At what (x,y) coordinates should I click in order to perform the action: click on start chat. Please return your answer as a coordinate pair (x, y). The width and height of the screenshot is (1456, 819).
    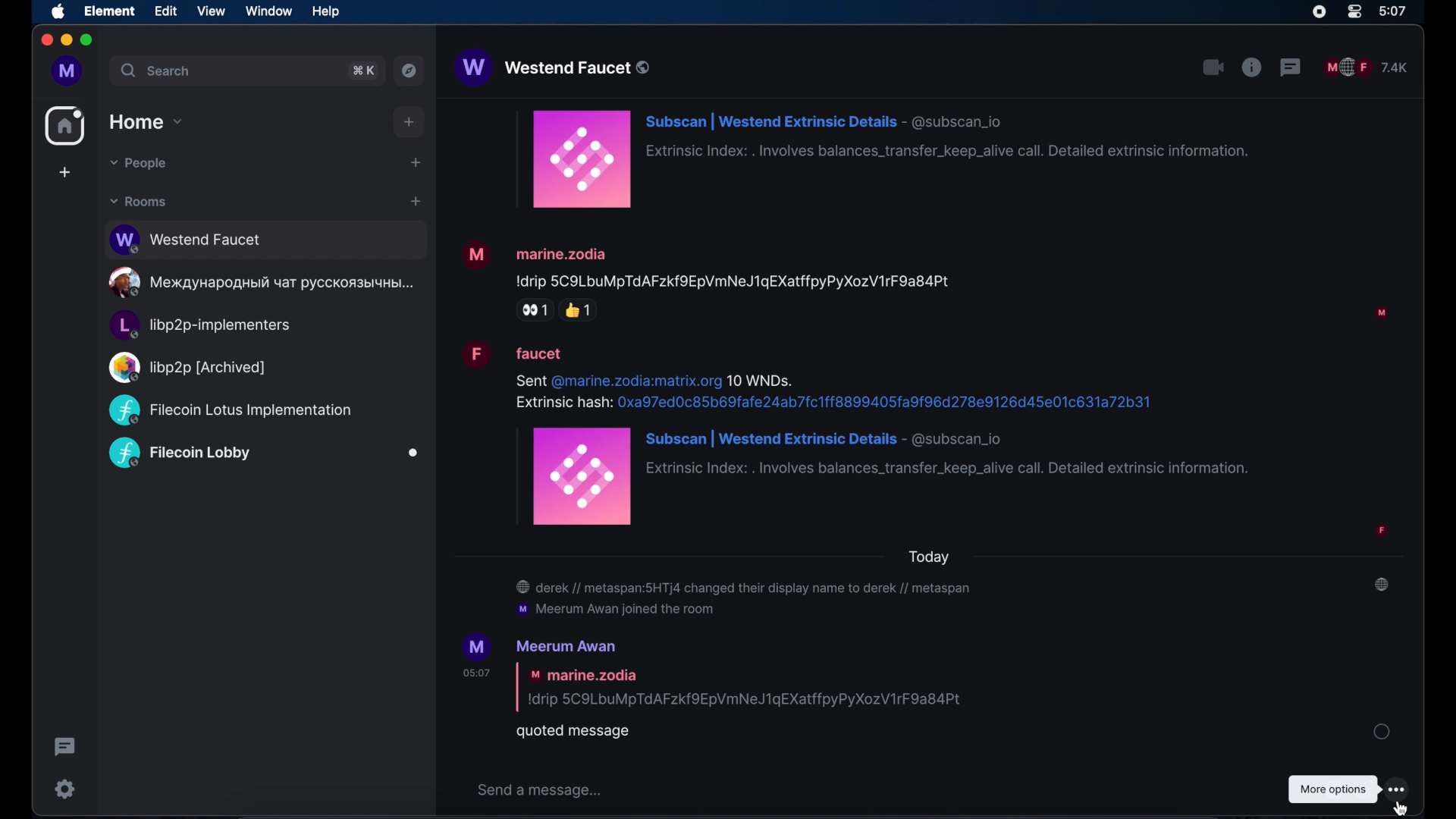
    Looking at the image, I should click on (415, 162).